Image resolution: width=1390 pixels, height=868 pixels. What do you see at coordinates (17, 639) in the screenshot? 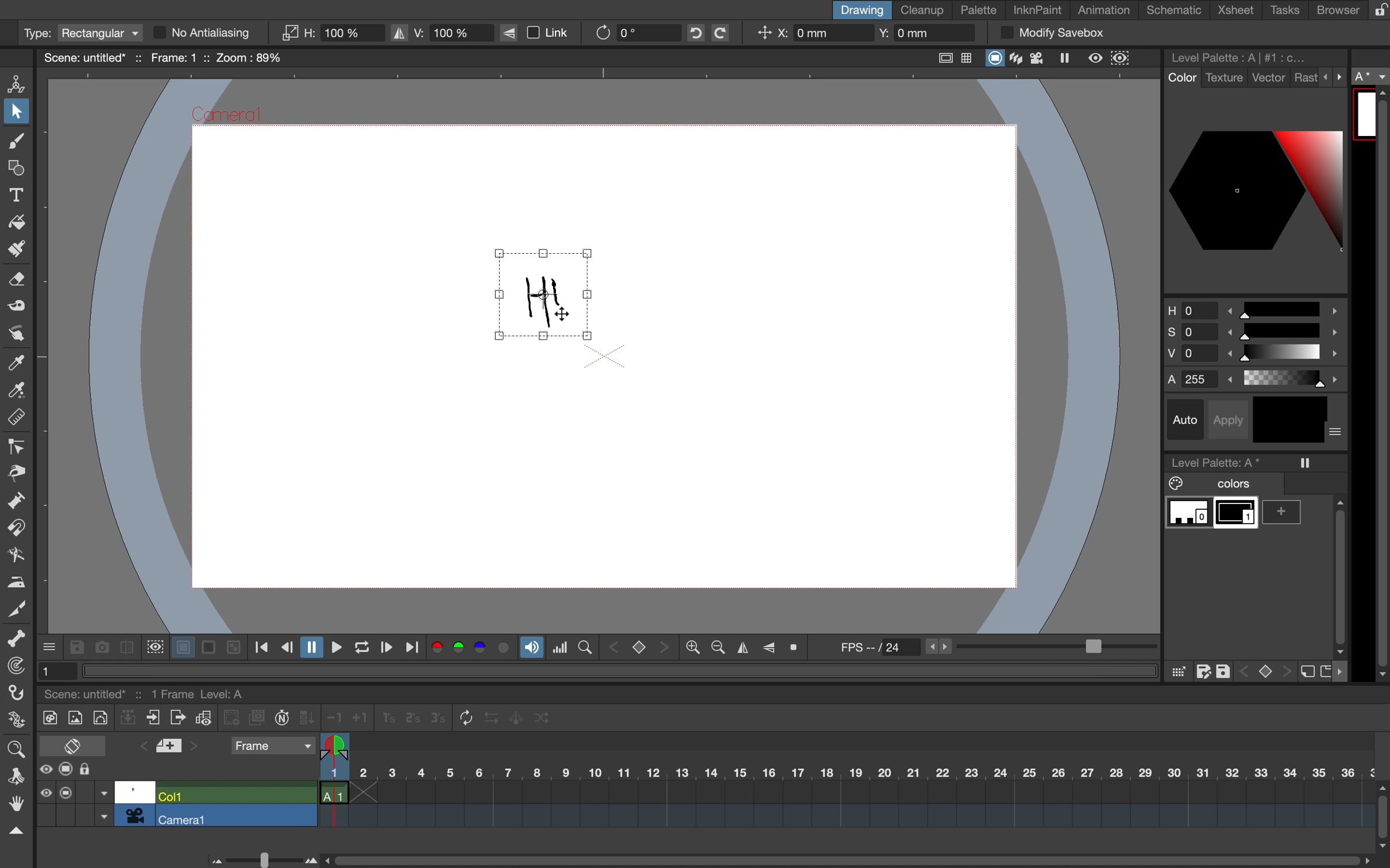
I see `skeleton tool` at bounding box center [17, 639].